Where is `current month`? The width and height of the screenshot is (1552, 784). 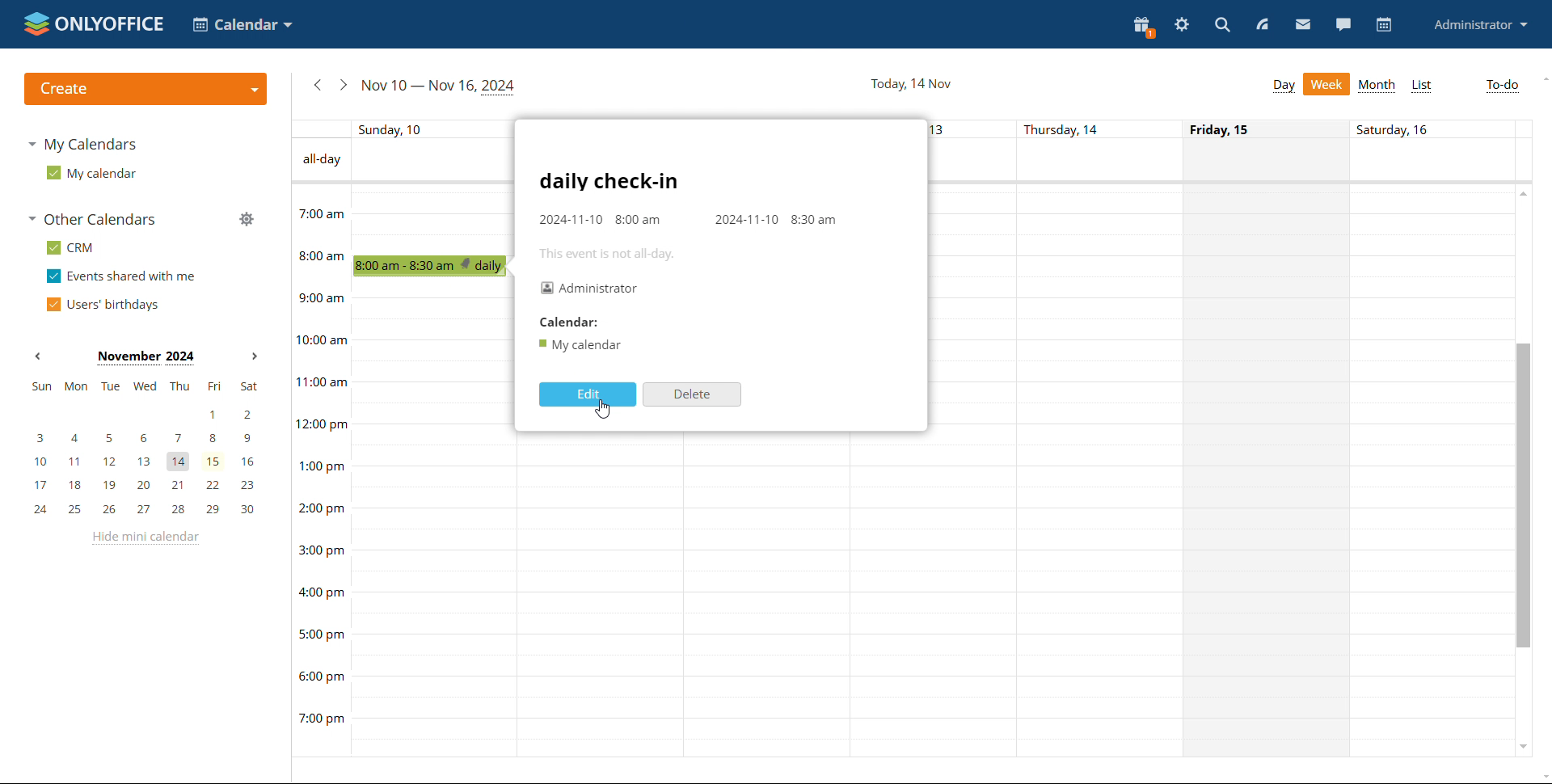 current month is located at coordinates (145, 358).